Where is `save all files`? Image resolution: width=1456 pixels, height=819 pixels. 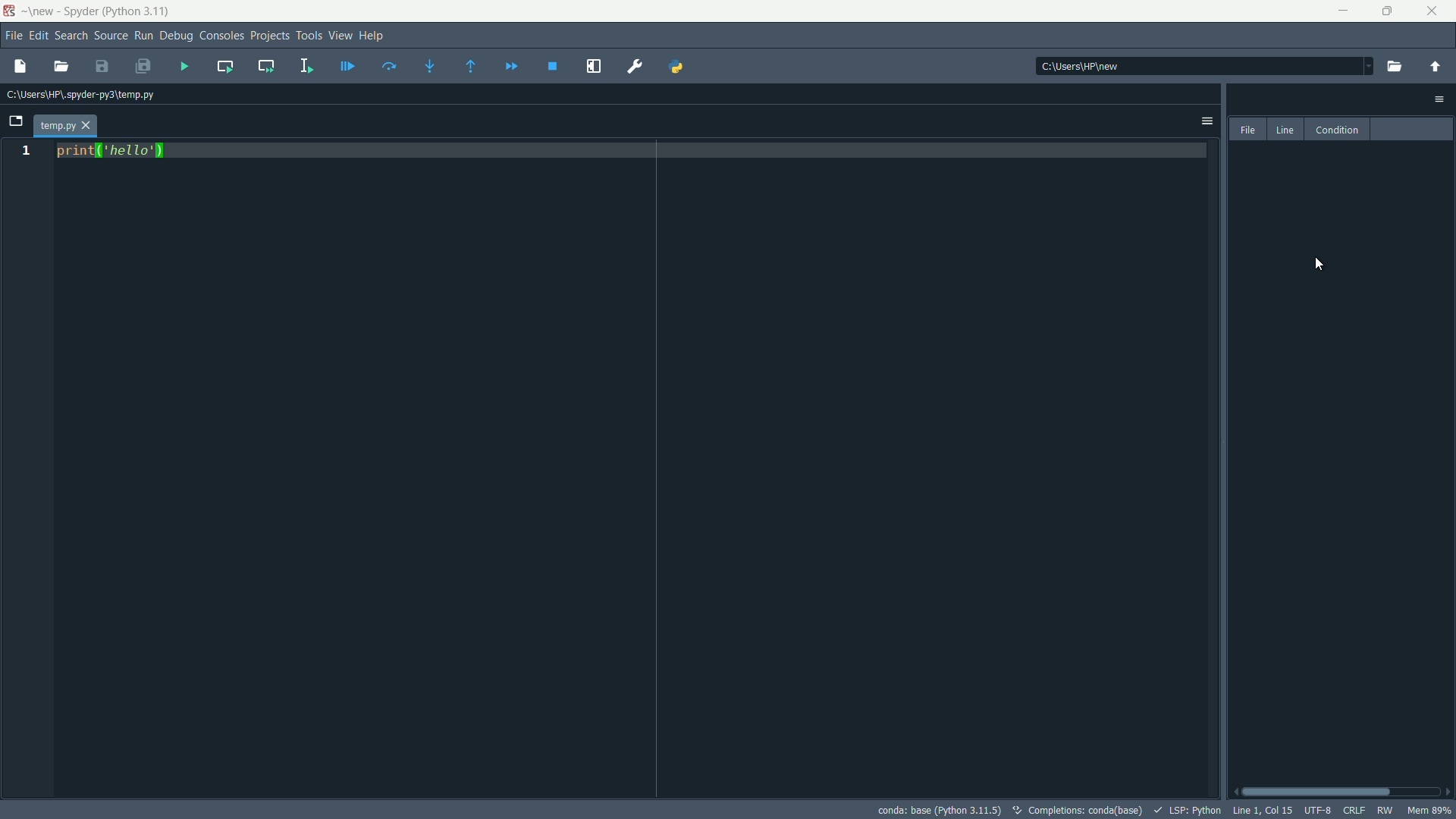
save all files is located at coordinates (142, 67).